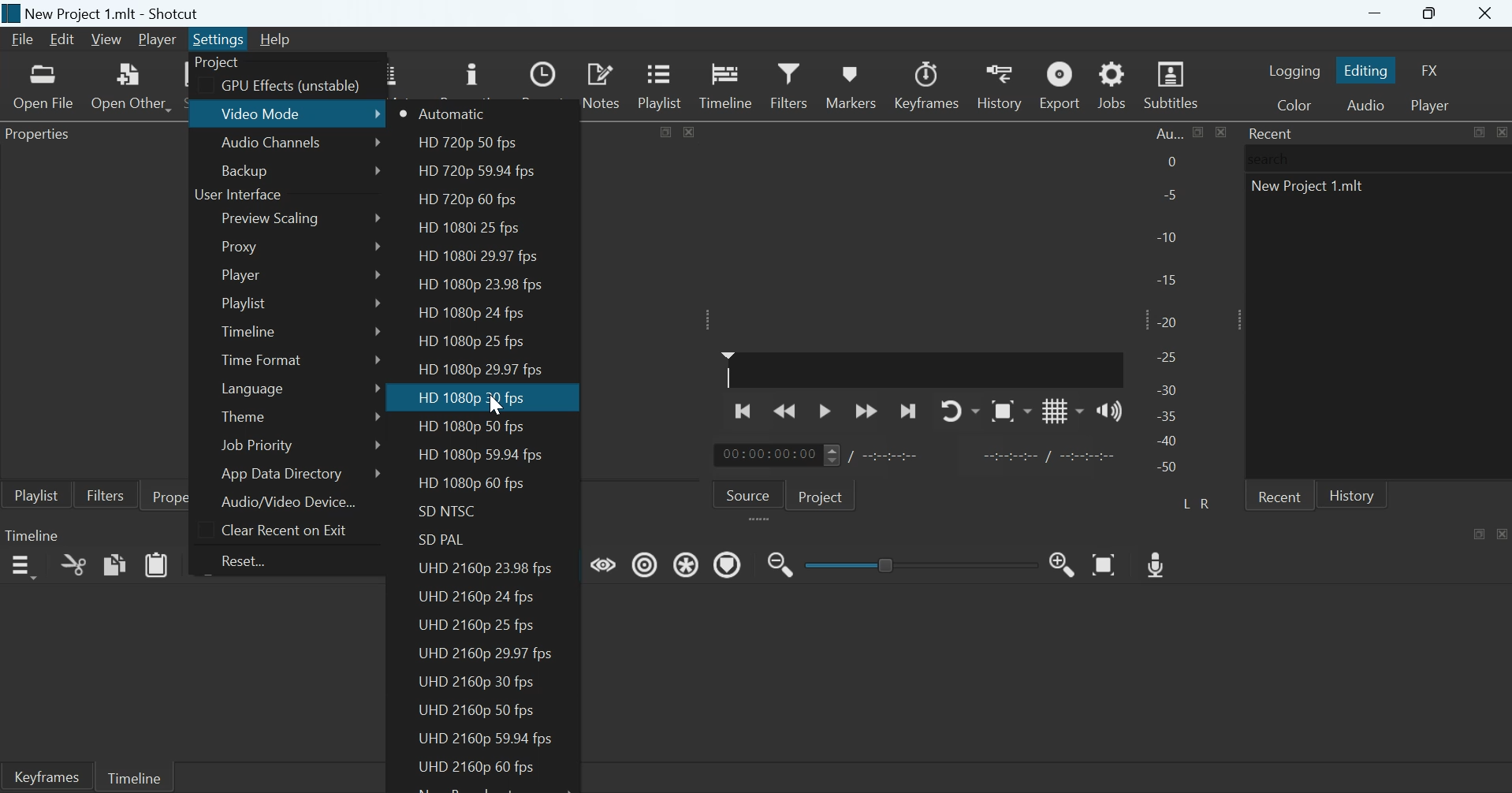 This screenshot has width=1512, height=793. What do you see at coordinates (105, 494) in the screenshot?
I see `Filters` at bounding box center [105, 494].